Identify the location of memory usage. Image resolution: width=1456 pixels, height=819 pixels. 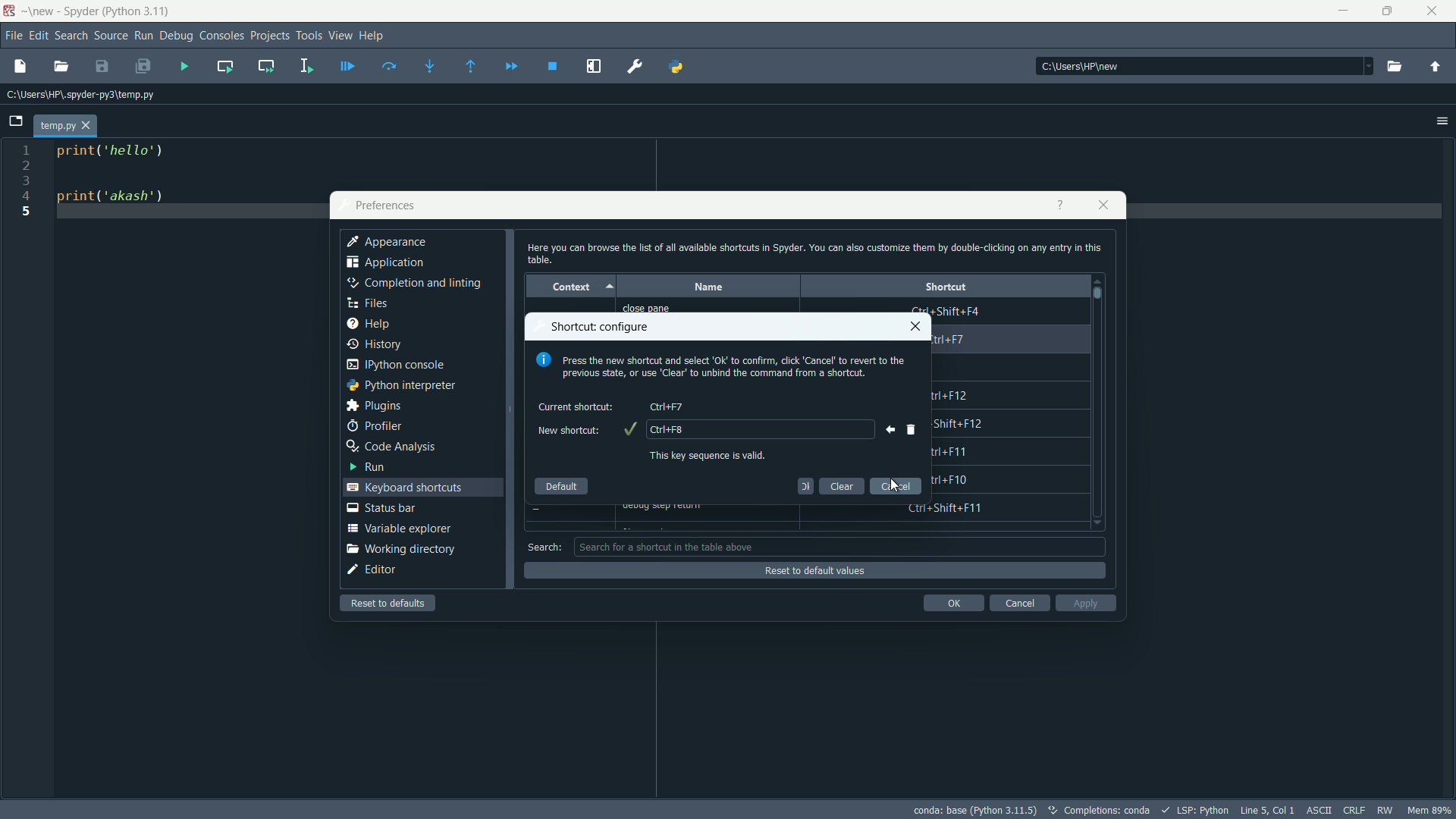
(1432, 810).